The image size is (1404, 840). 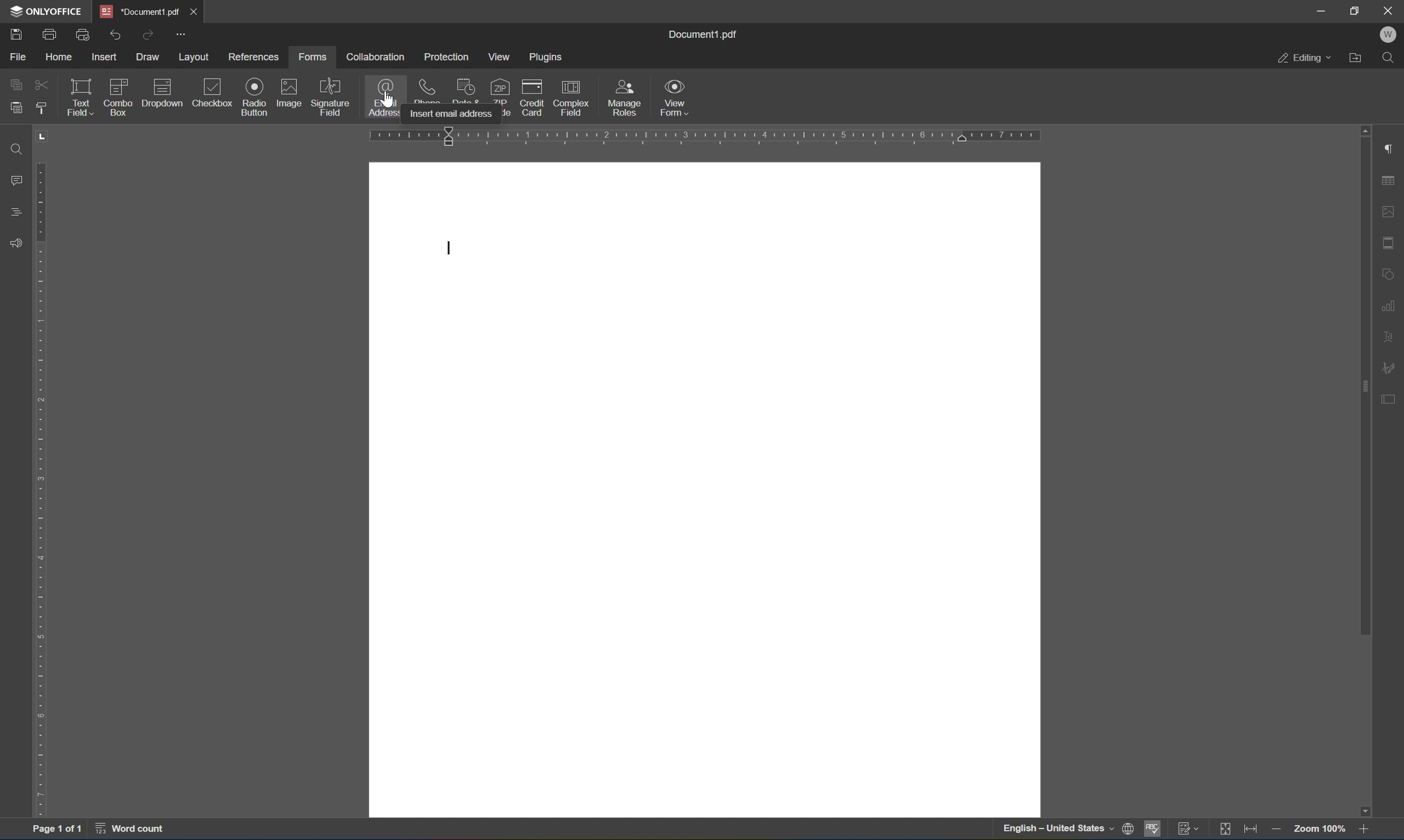 I want to click on file, so click(x=19, y=57).